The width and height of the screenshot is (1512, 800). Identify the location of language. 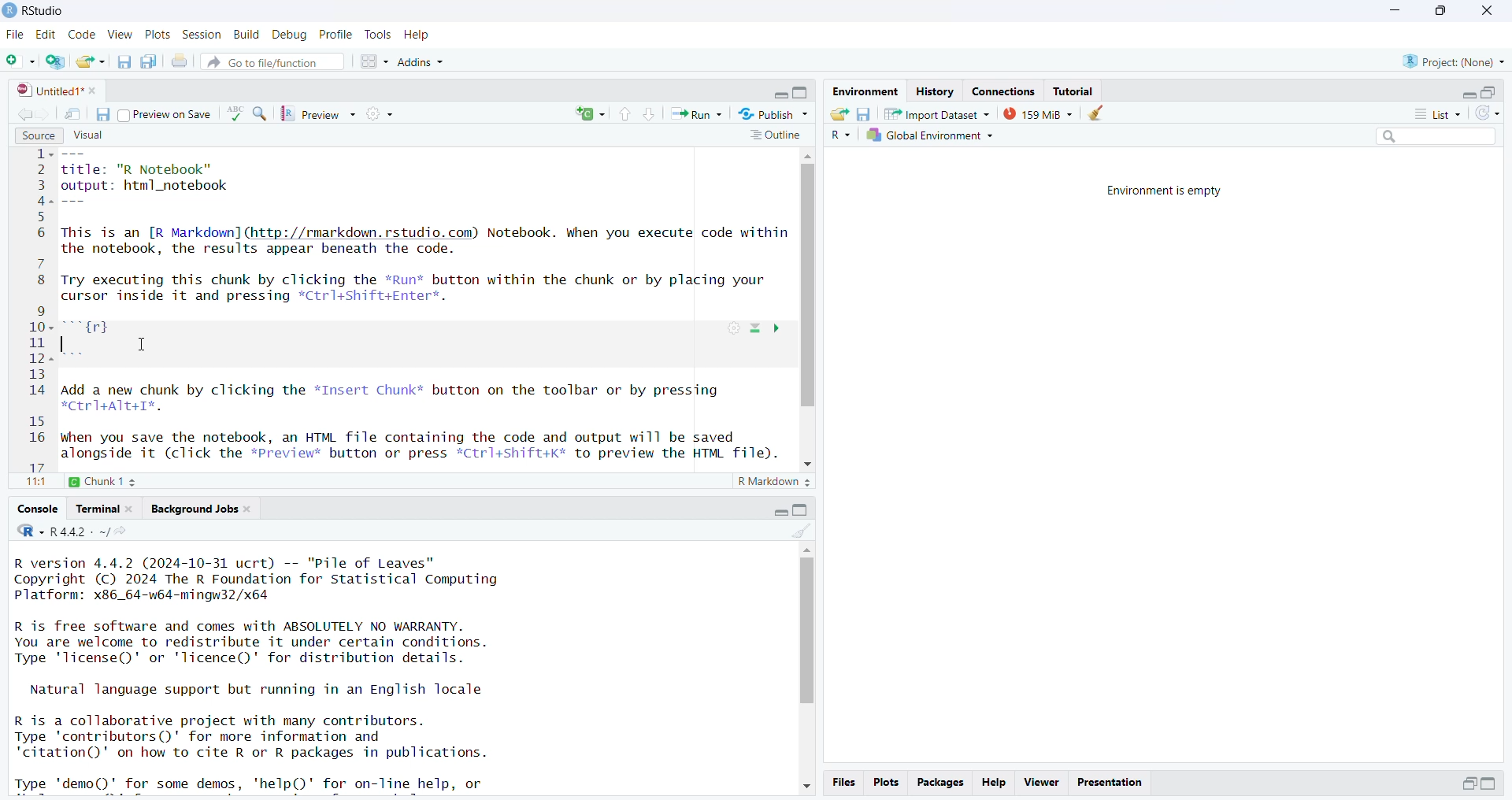
(235, 113).